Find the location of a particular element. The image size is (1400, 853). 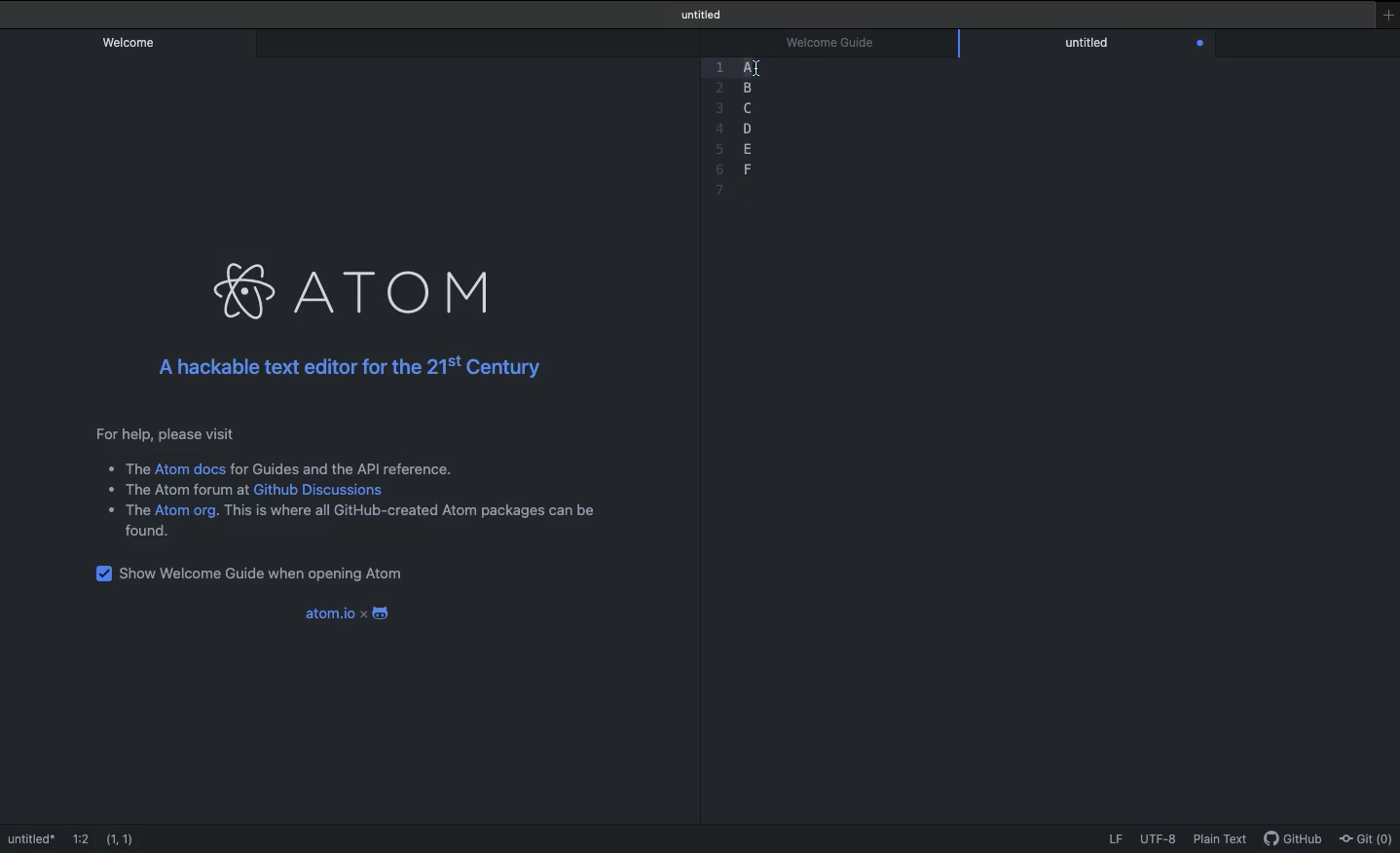

Plain text is located at coordinates (1220, 840).